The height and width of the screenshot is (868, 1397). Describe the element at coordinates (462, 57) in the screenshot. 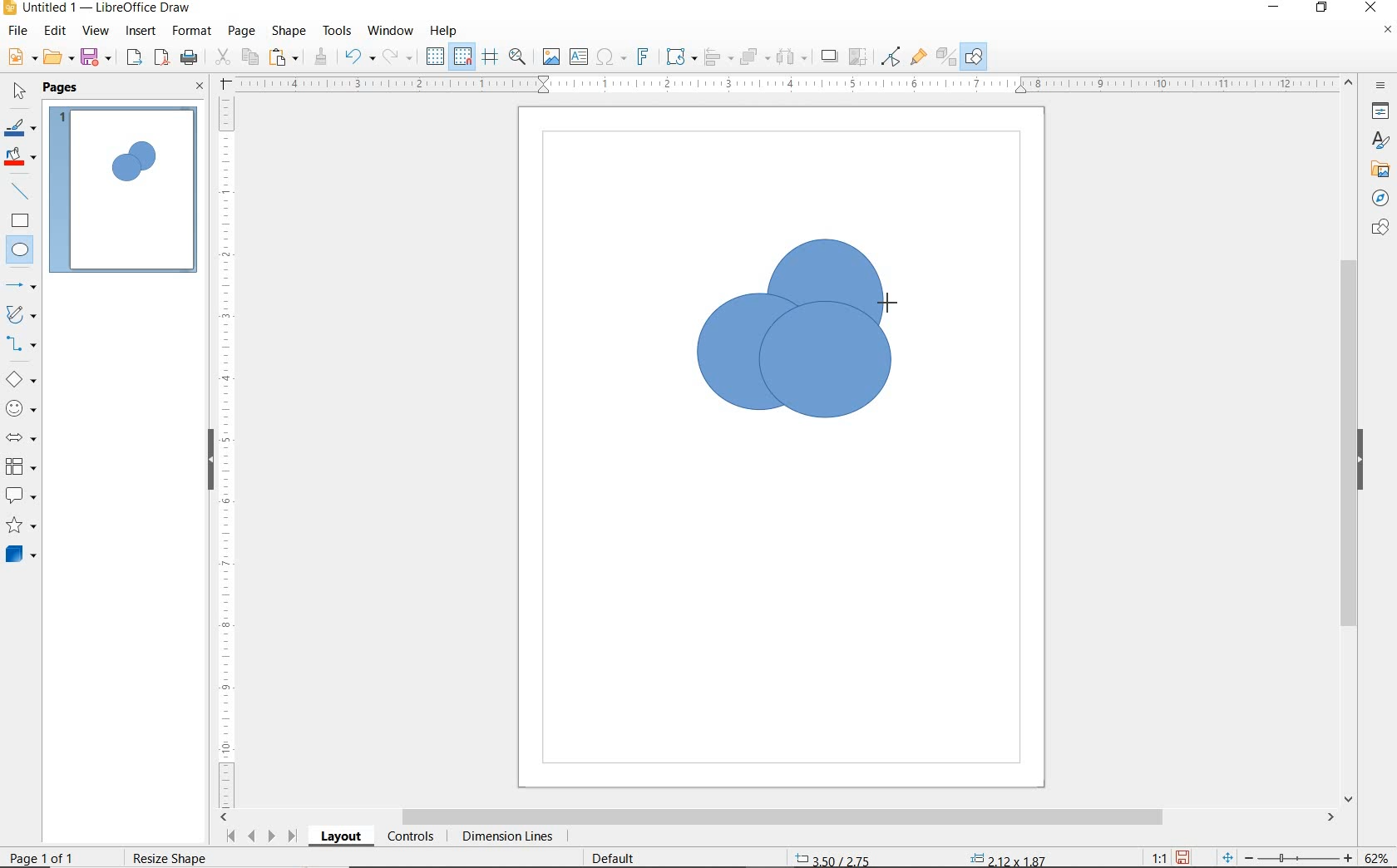

I see `SNAP TO GRID` at that location.